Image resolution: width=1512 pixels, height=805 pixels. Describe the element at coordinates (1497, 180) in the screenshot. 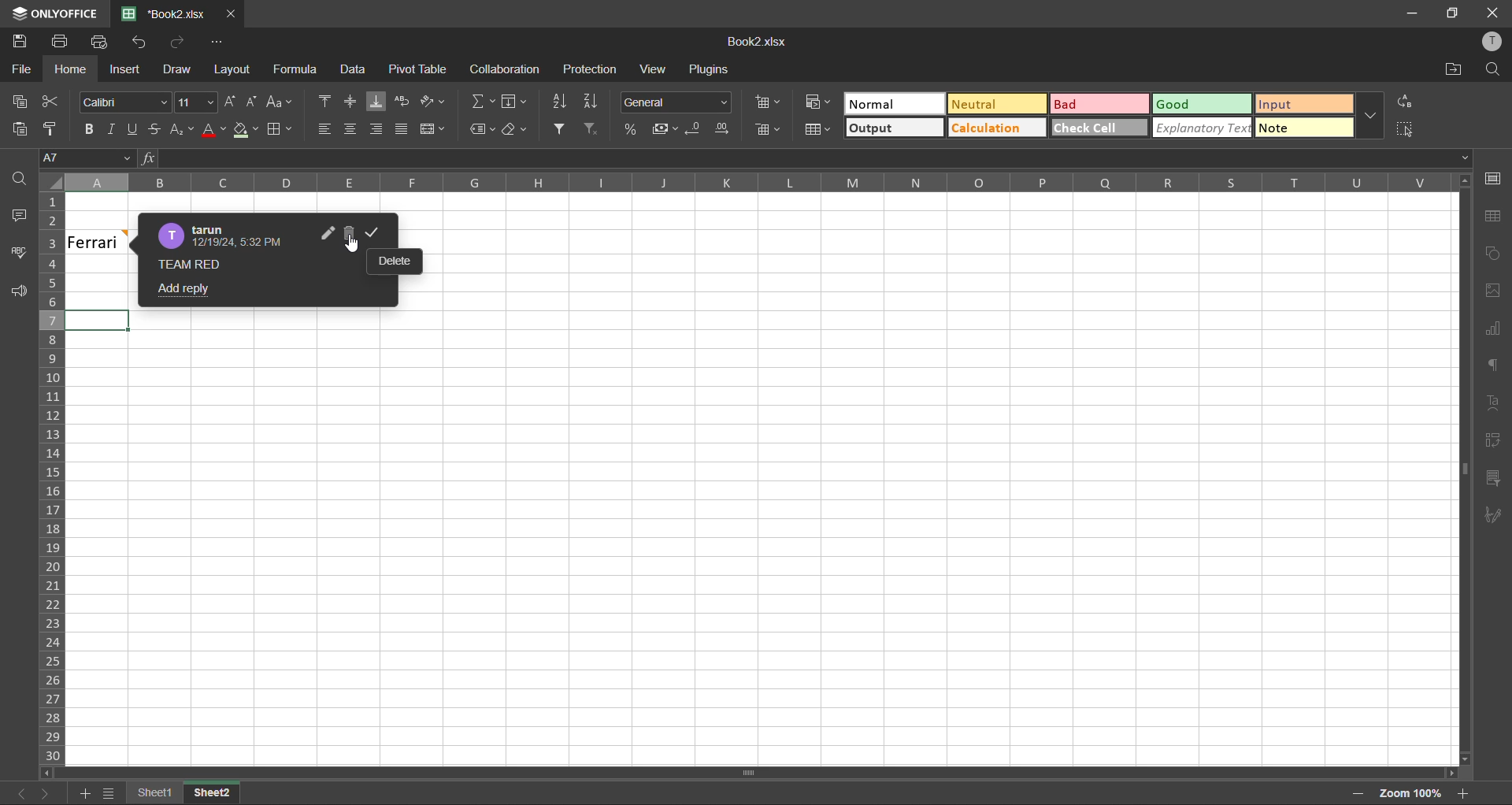

I see `cell settings` at that location.